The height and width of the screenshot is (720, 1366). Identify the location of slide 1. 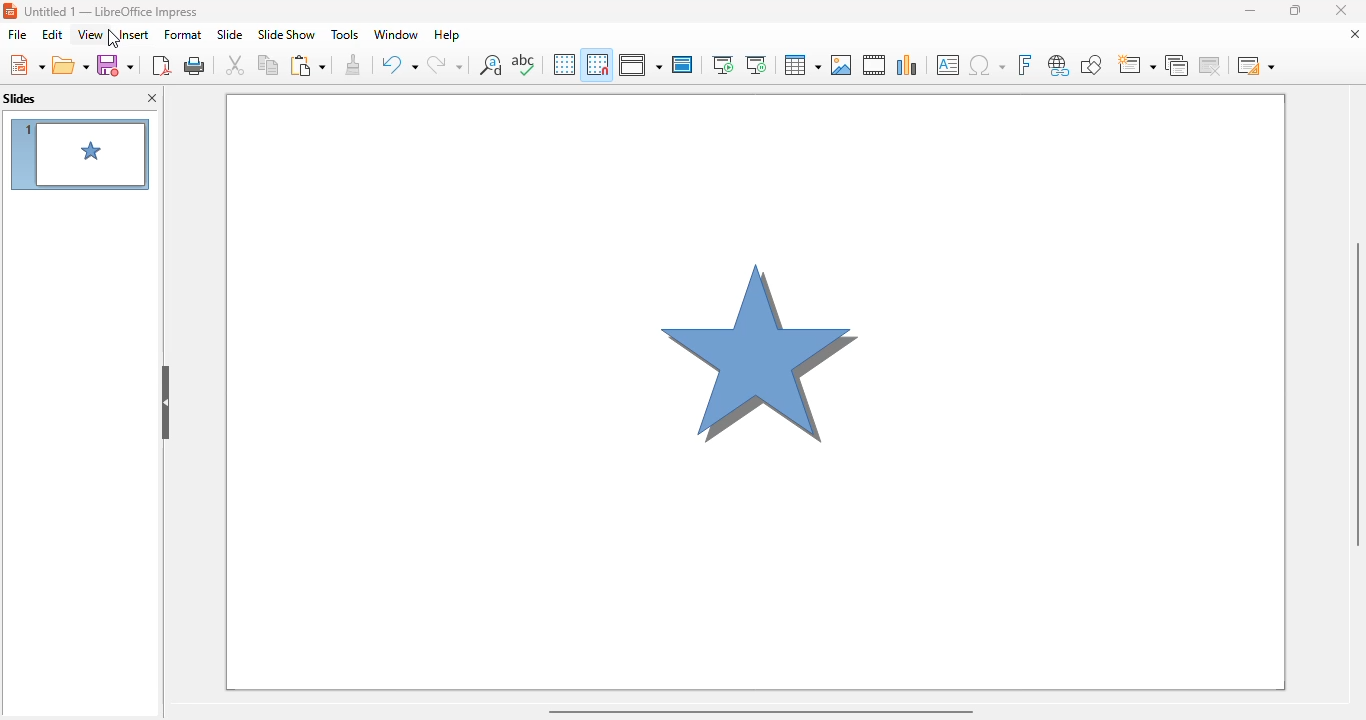
(756, 392).